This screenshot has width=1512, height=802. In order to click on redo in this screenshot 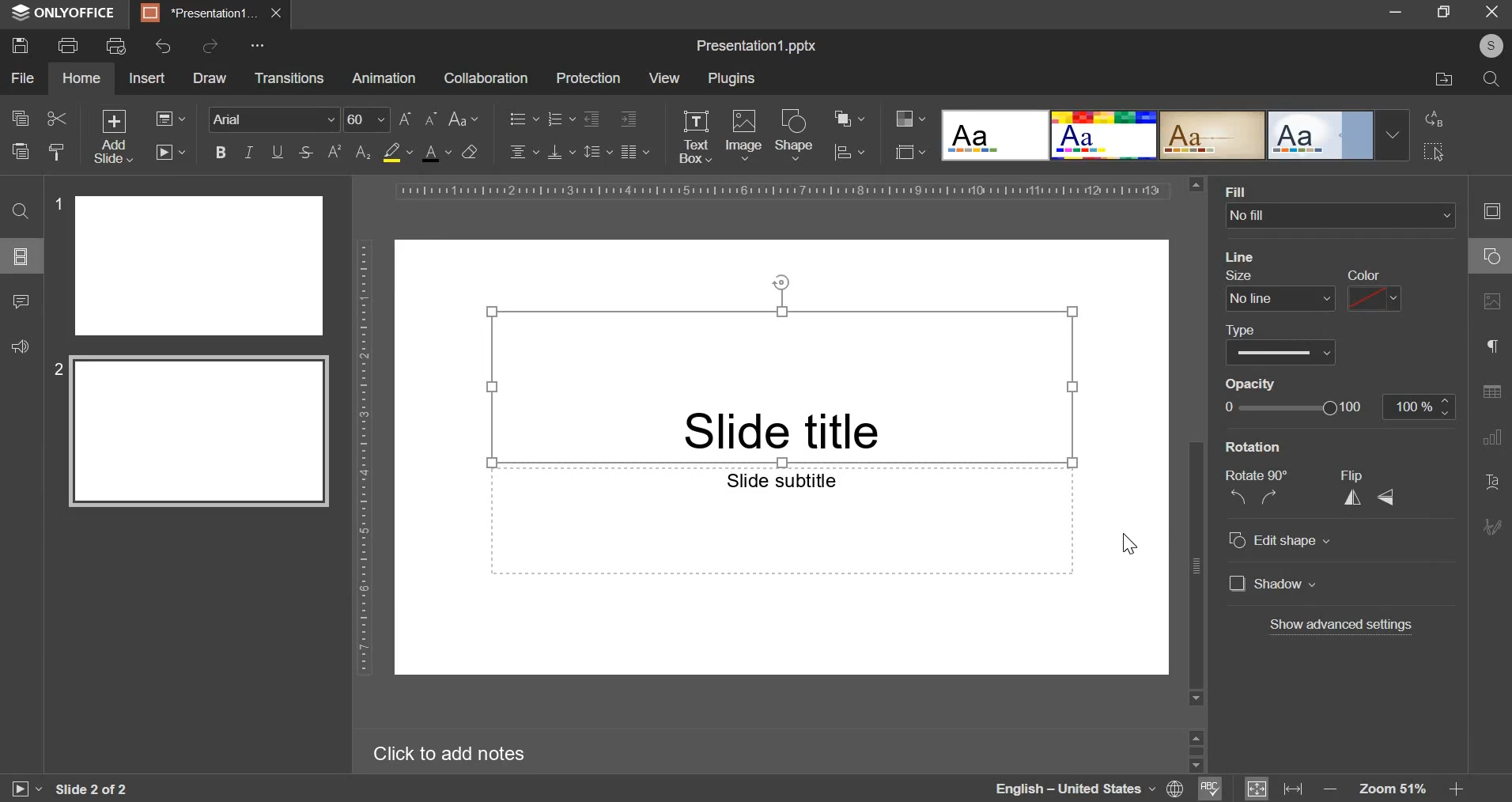, I will do `click(209, 45)`.